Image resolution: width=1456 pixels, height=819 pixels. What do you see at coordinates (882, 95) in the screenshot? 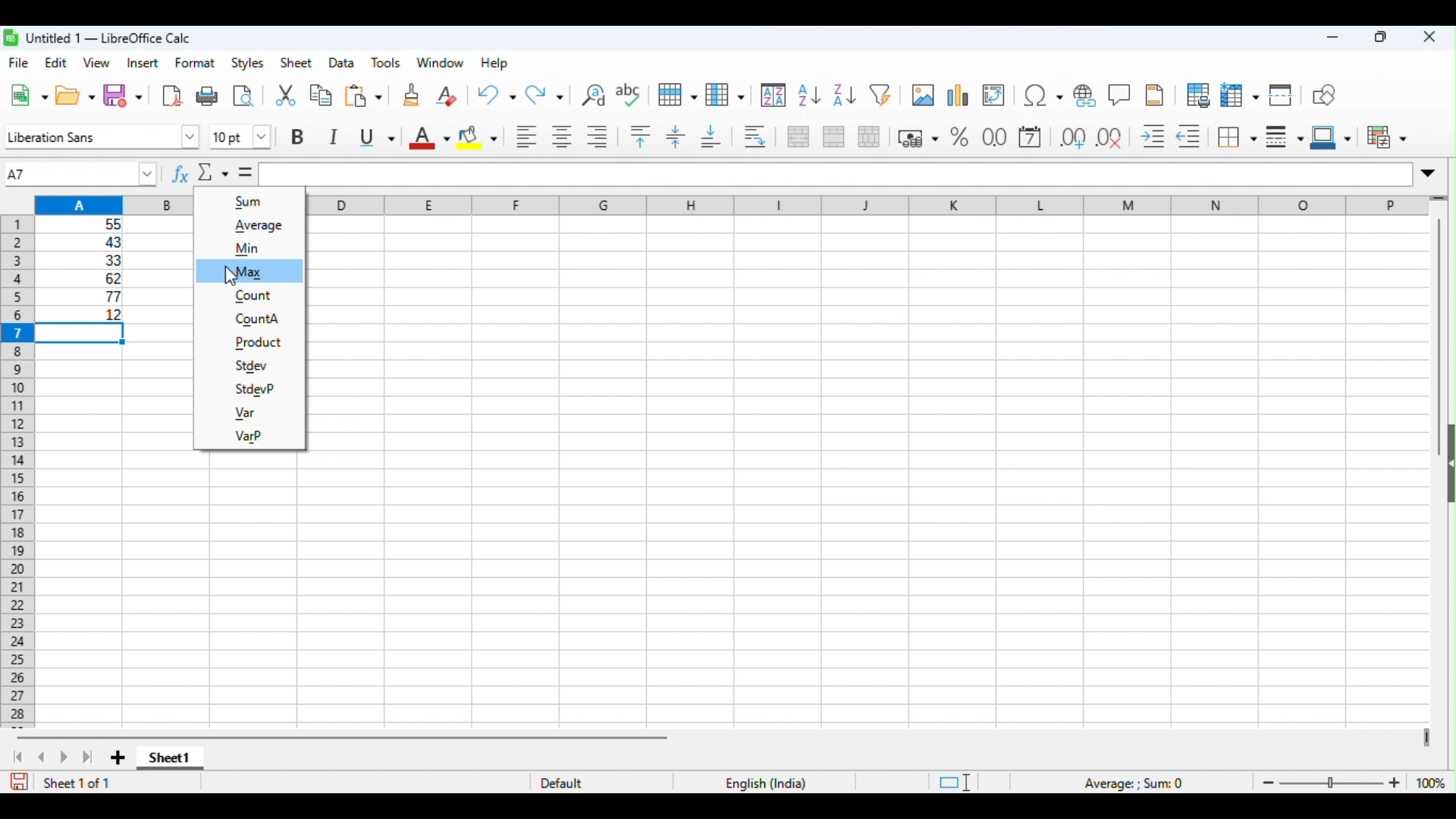
I see `filter` at bounding box center [882, 95].